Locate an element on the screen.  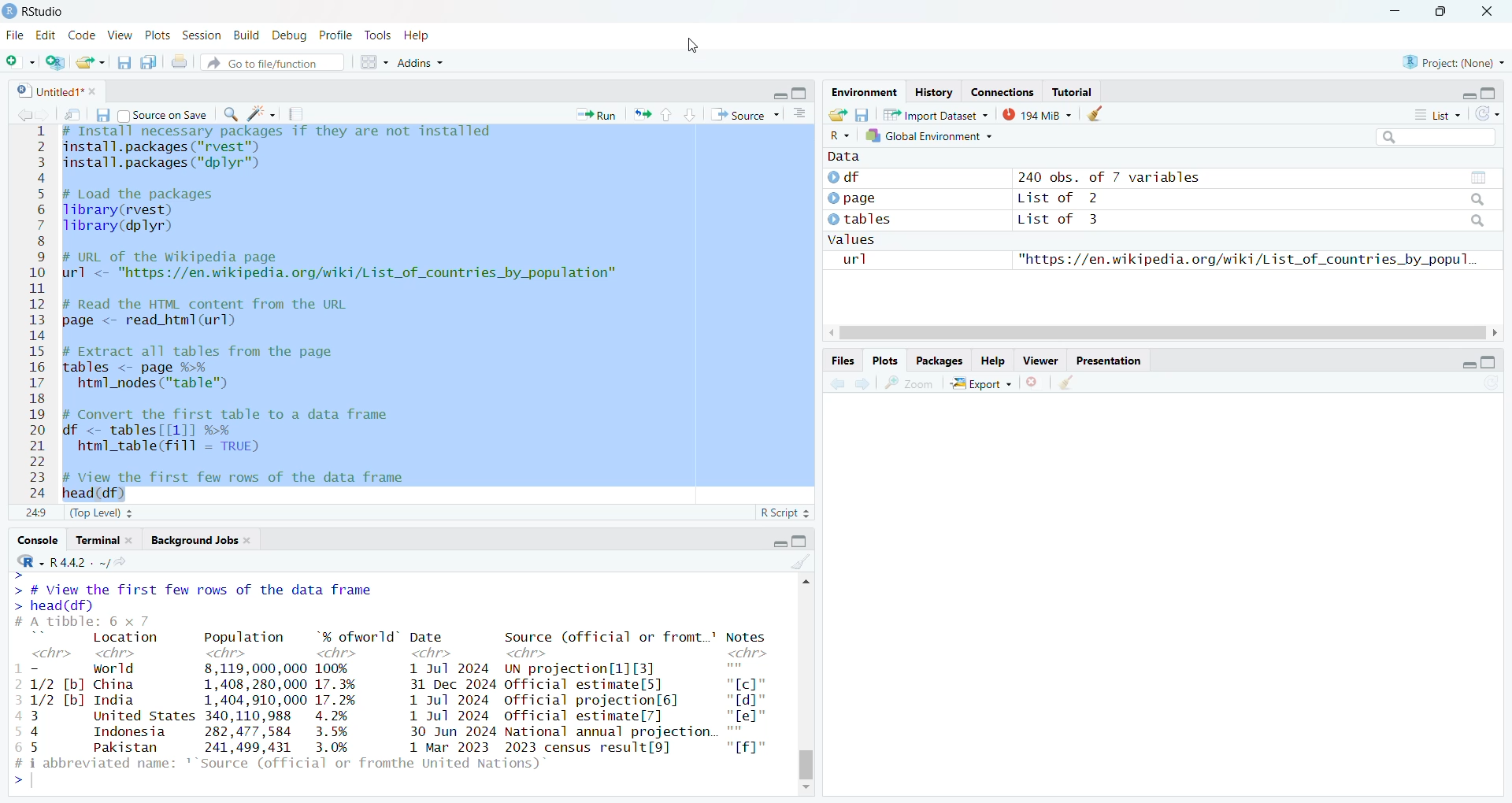
values is located at coordinates (854, 239).